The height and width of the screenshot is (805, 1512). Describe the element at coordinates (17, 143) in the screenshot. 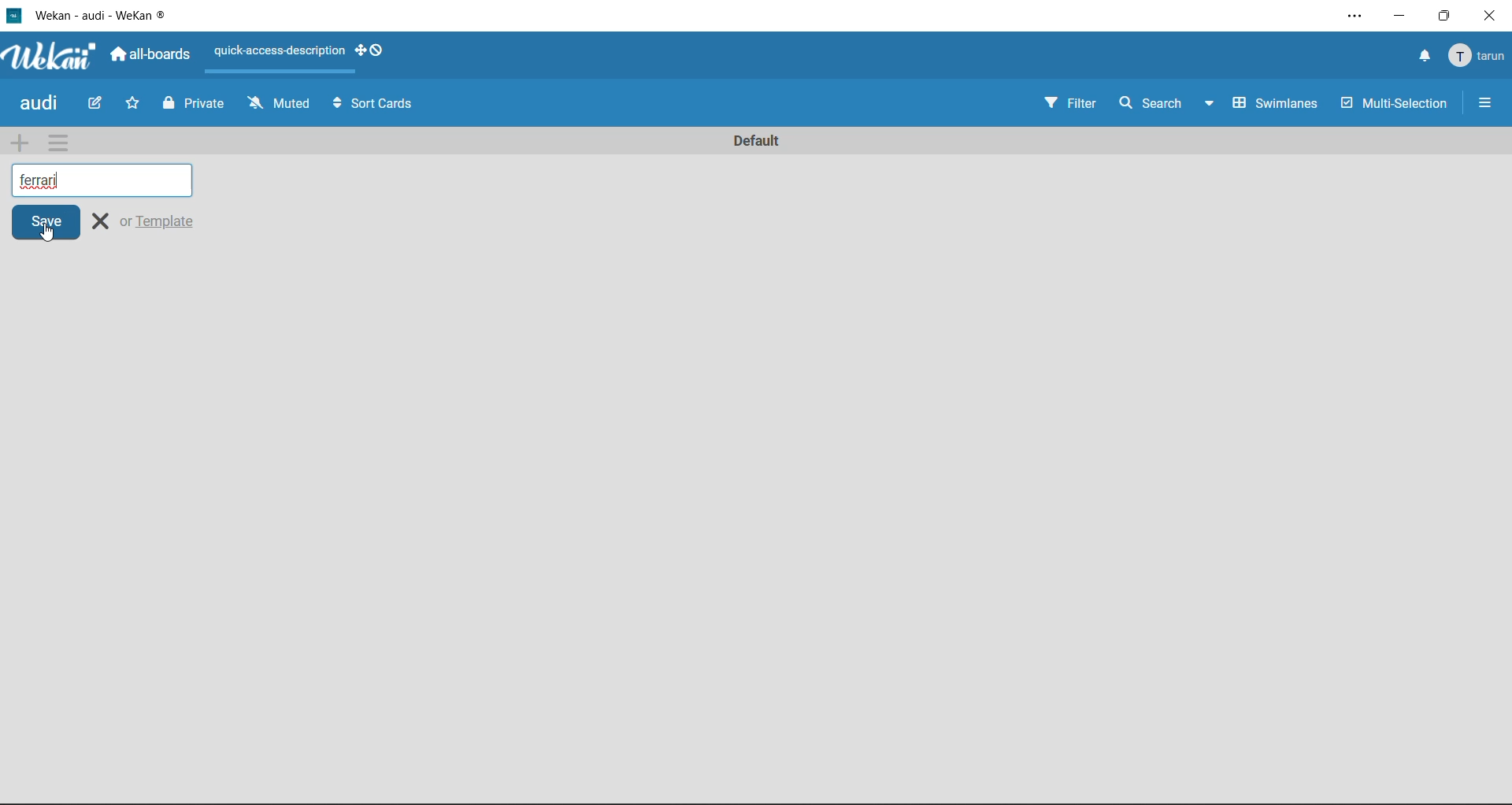

I see `add swimlane` at that location.